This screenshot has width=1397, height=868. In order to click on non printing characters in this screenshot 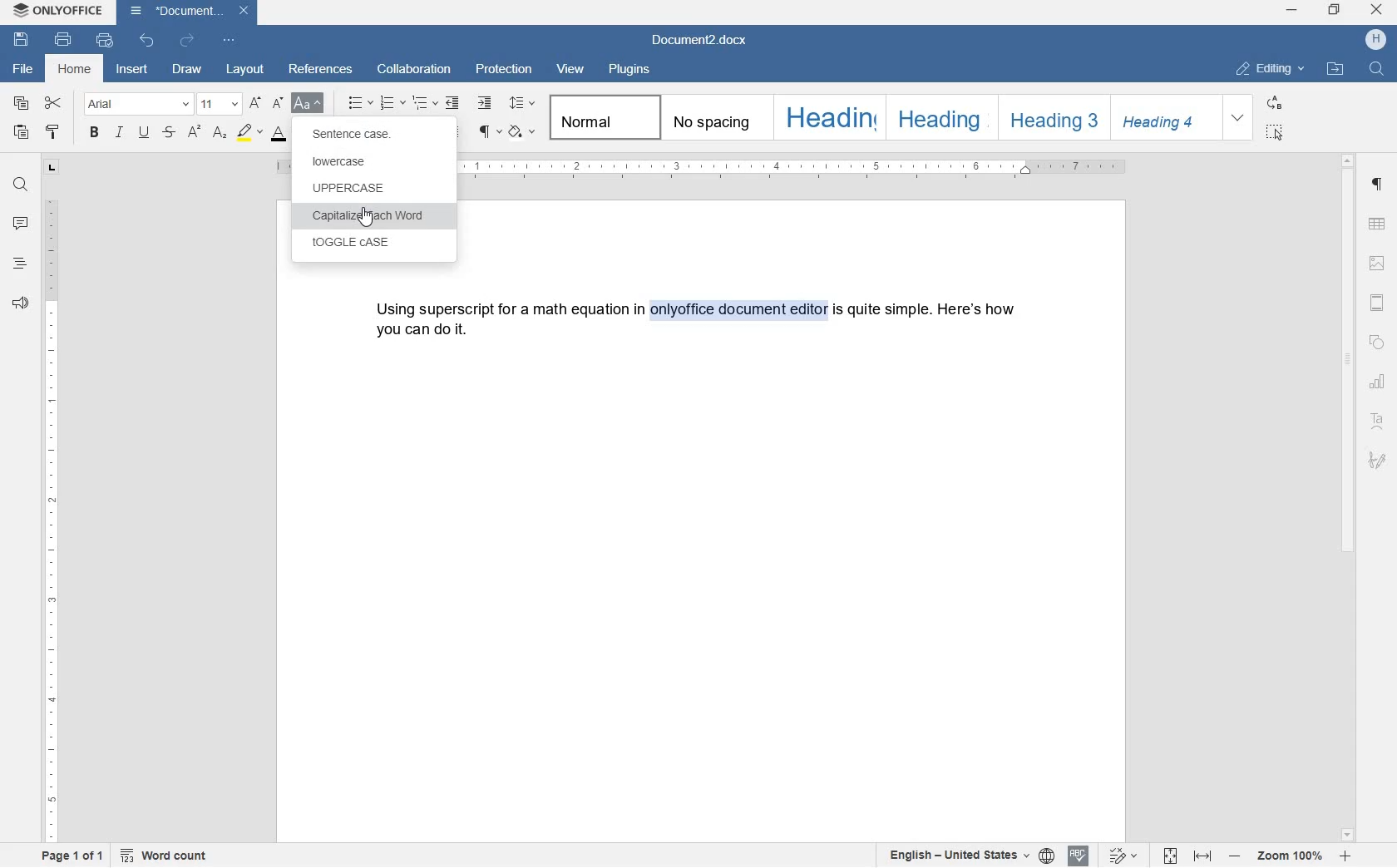, I will do `click(488, 133)`.